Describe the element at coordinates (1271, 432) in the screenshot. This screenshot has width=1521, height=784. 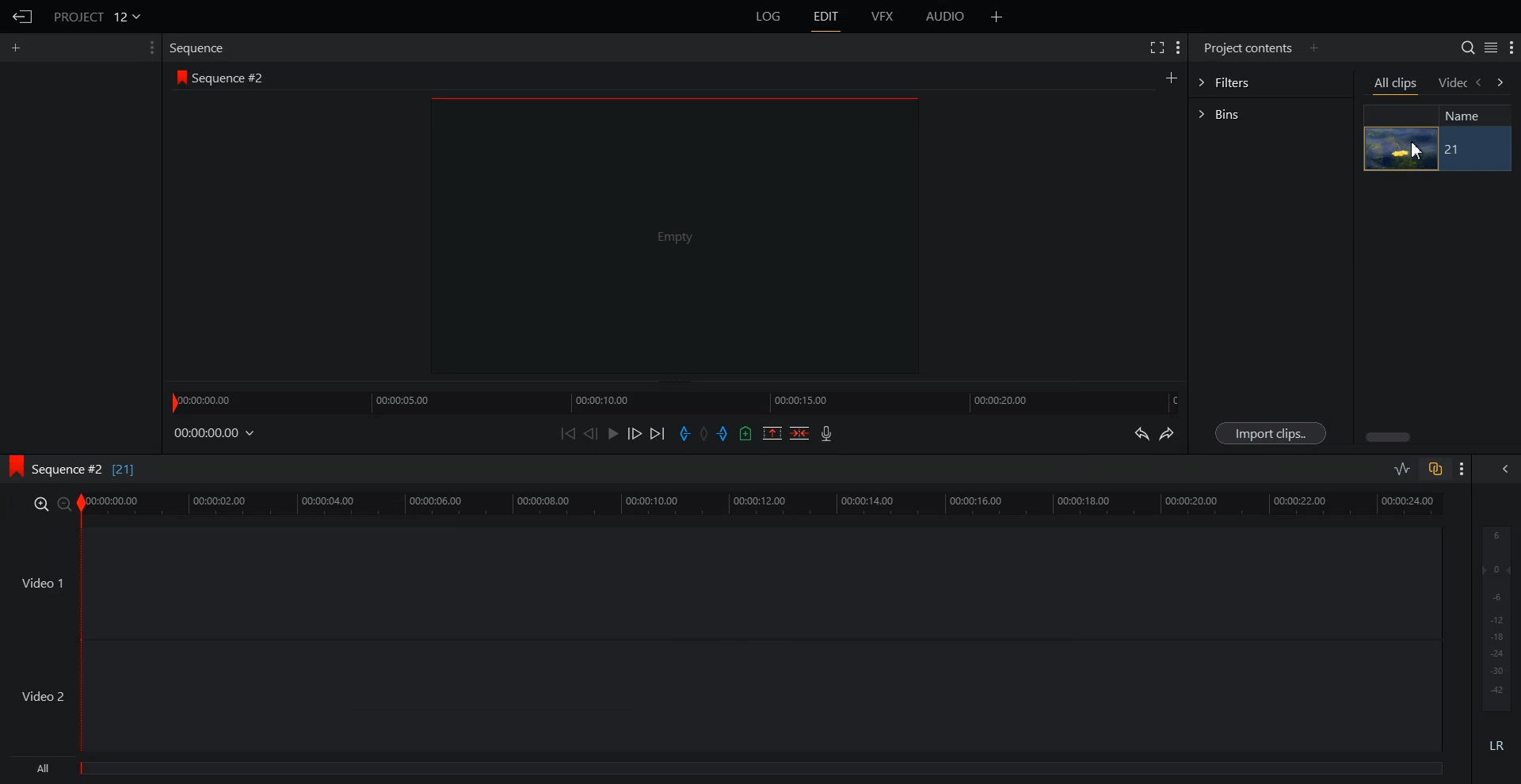
I see `Import Clips` at that location.